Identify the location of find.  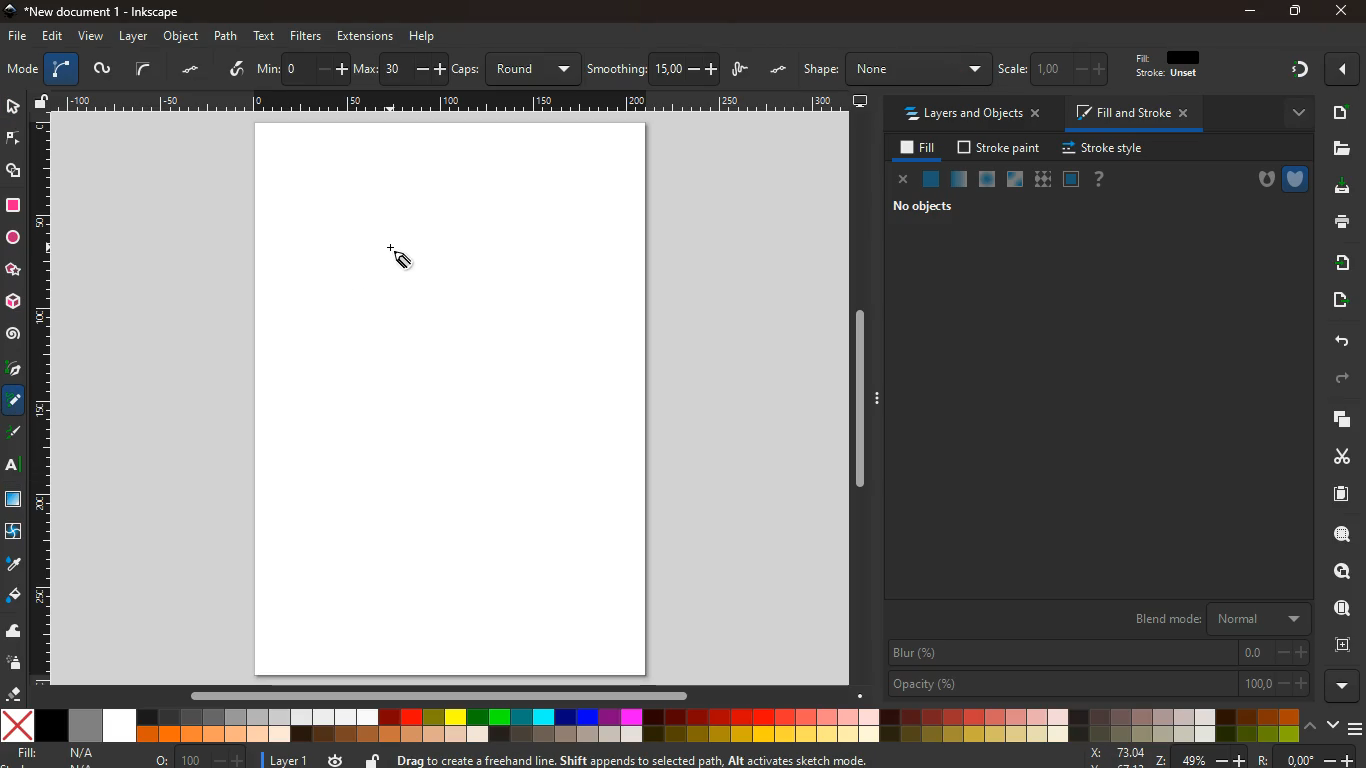
(1342, 534).